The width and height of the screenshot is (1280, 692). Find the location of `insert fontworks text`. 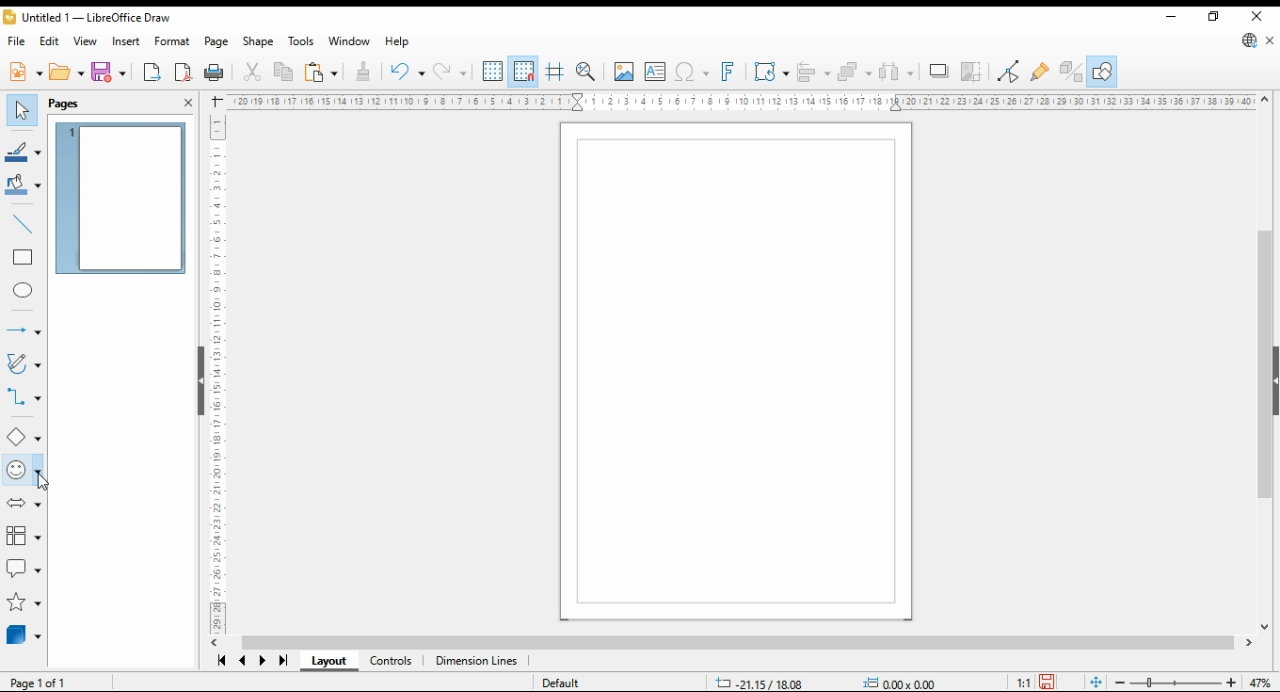

insert fontworks text is located at coordinates (730, 72).